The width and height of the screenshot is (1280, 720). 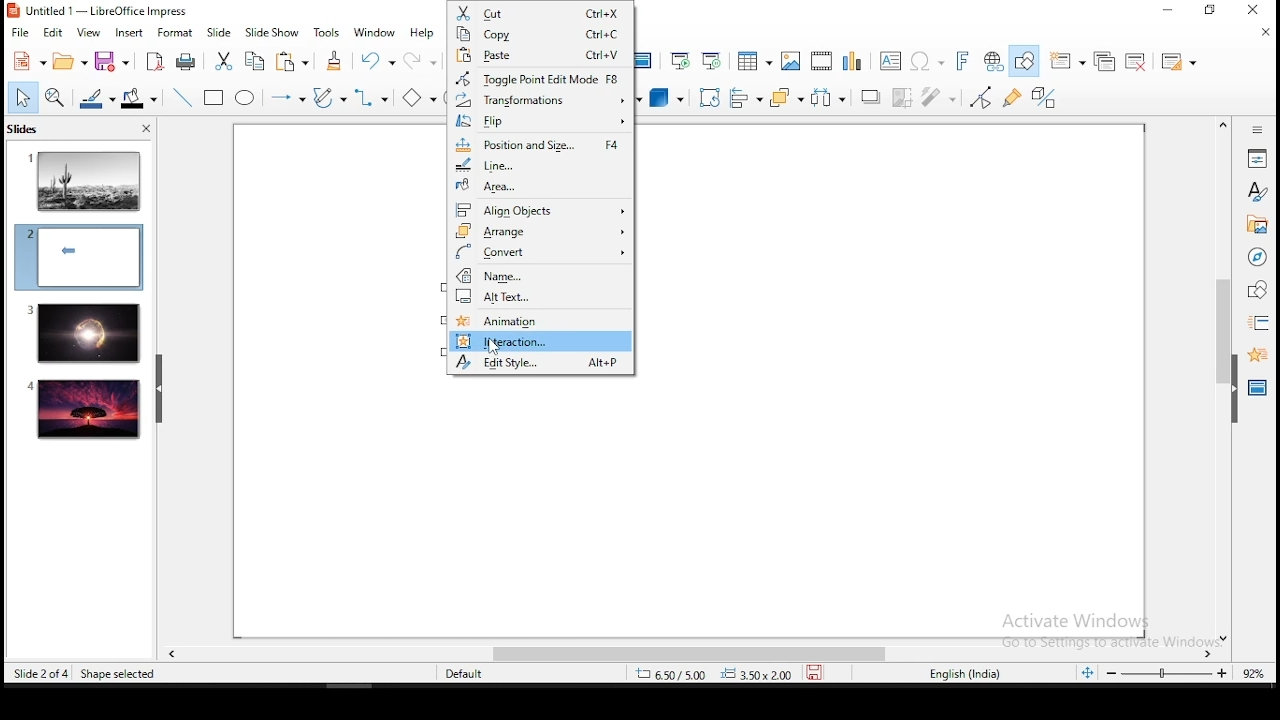 What do you see at coordinates (144, 131) in the screenshot?
I see `close` at bounding box center [144, 131].